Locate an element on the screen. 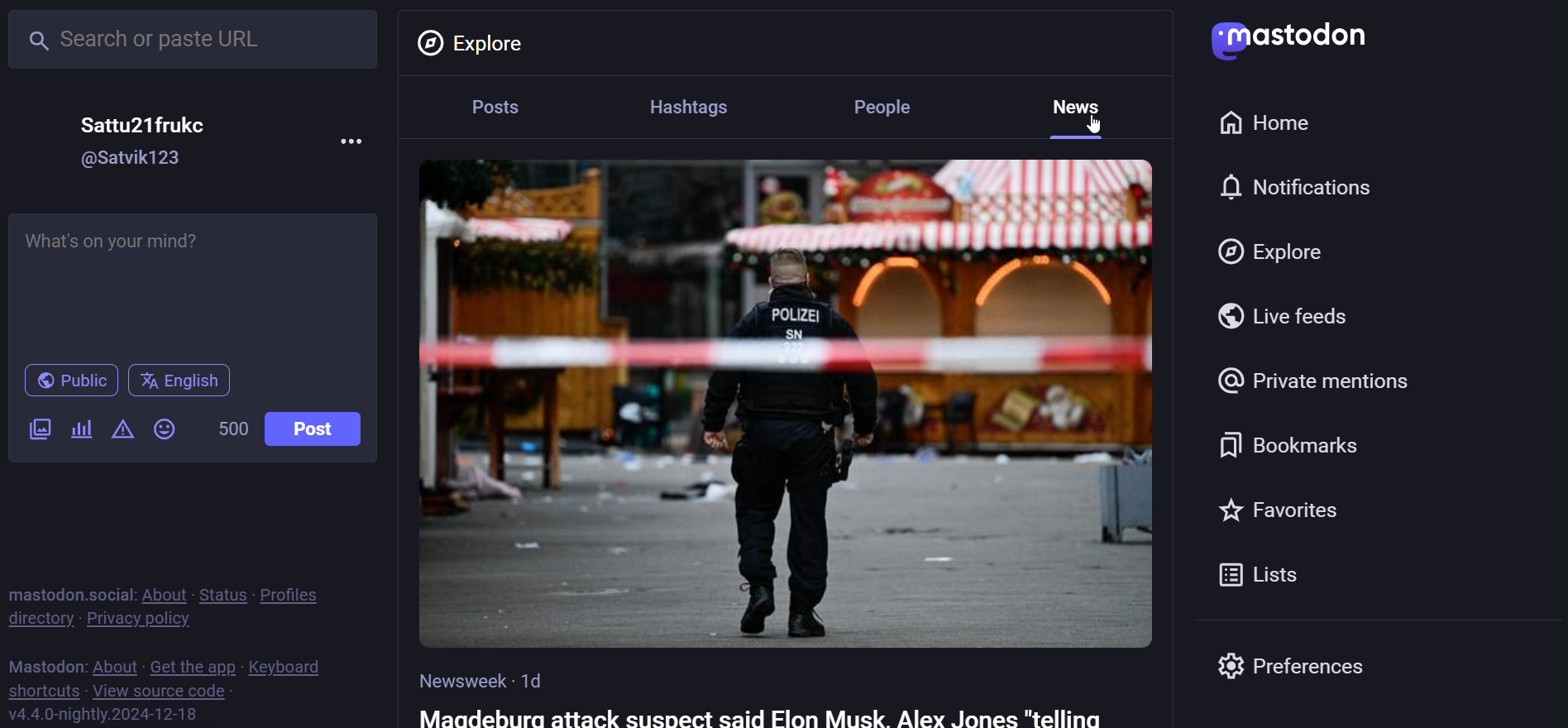 This screenshot has height=728, width=1568. private mention is located at coordinates (1334, 377).